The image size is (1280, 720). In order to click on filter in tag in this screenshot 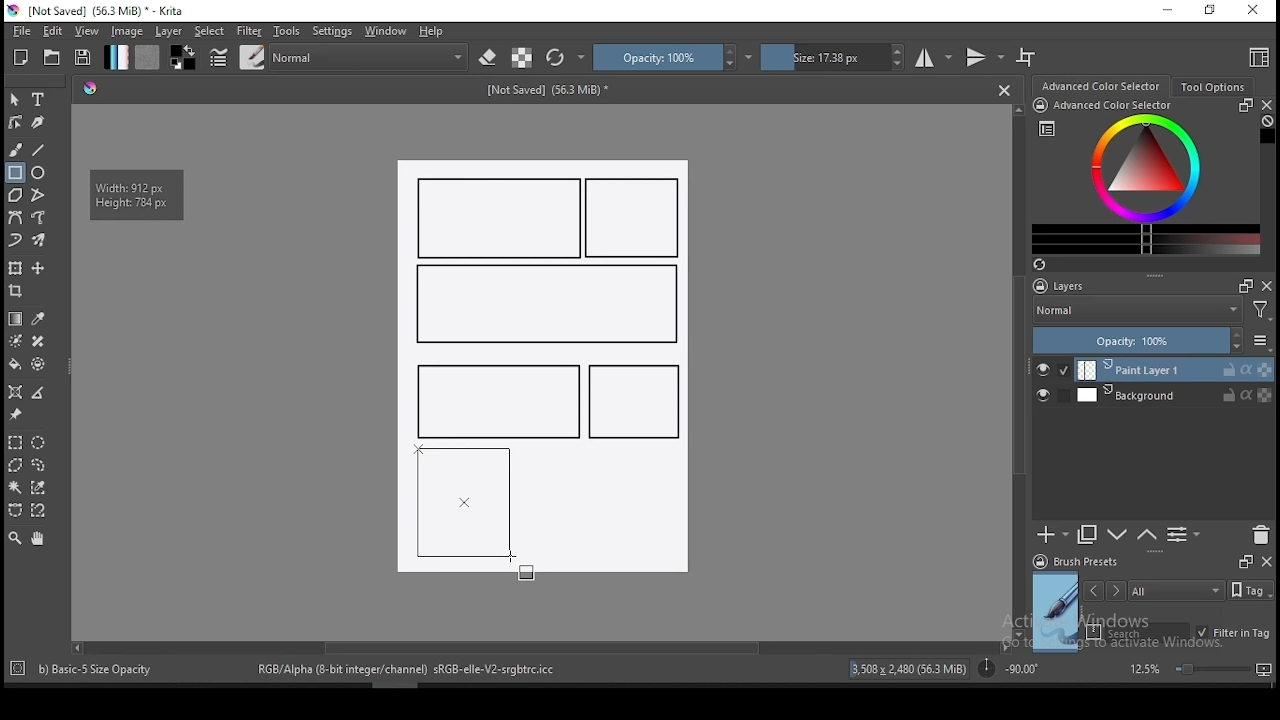, I will do `click(1233, 634)`.